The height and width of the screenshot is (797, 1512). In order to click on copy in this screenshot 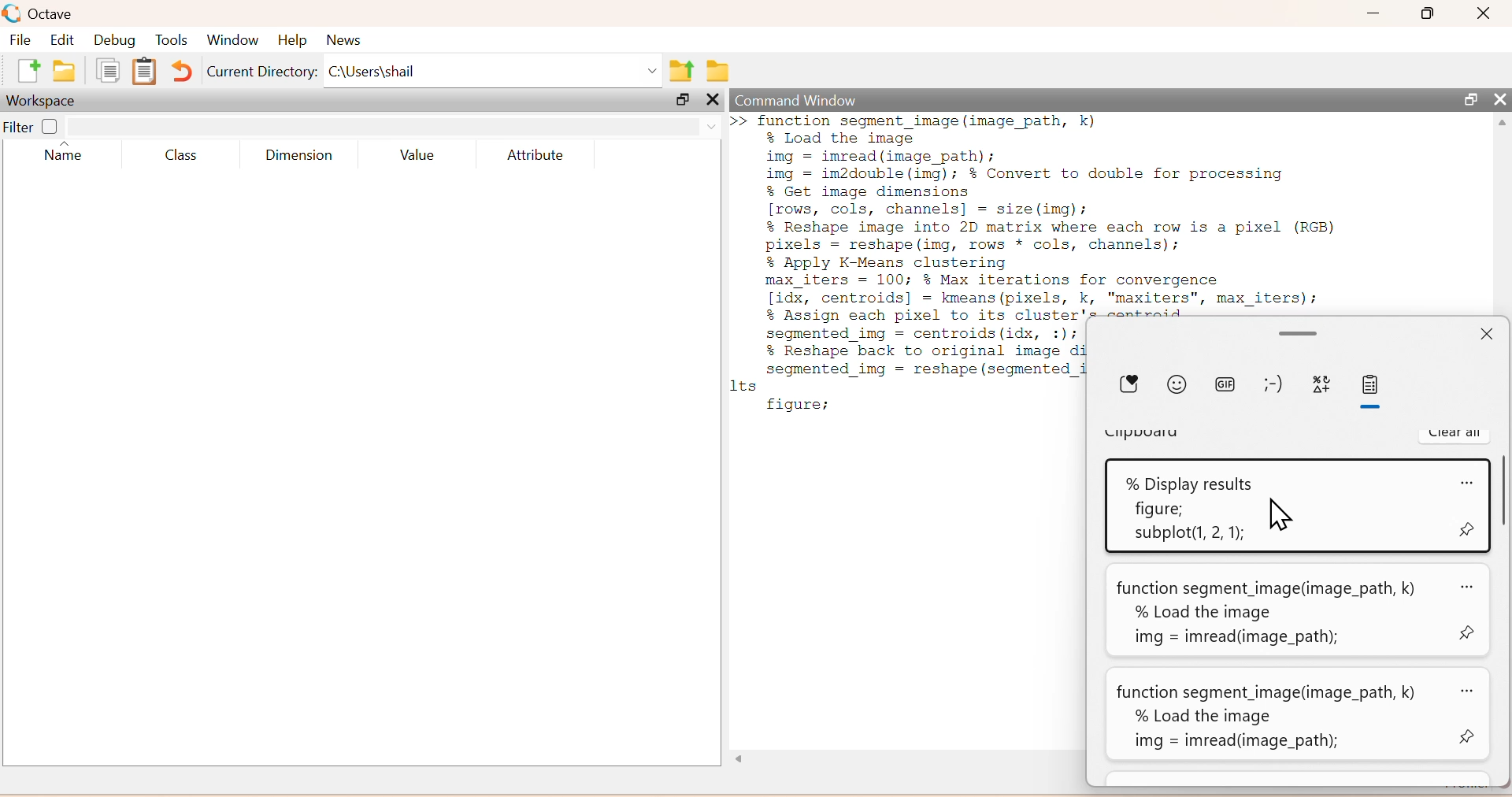, I will do `click(108, 70)`.